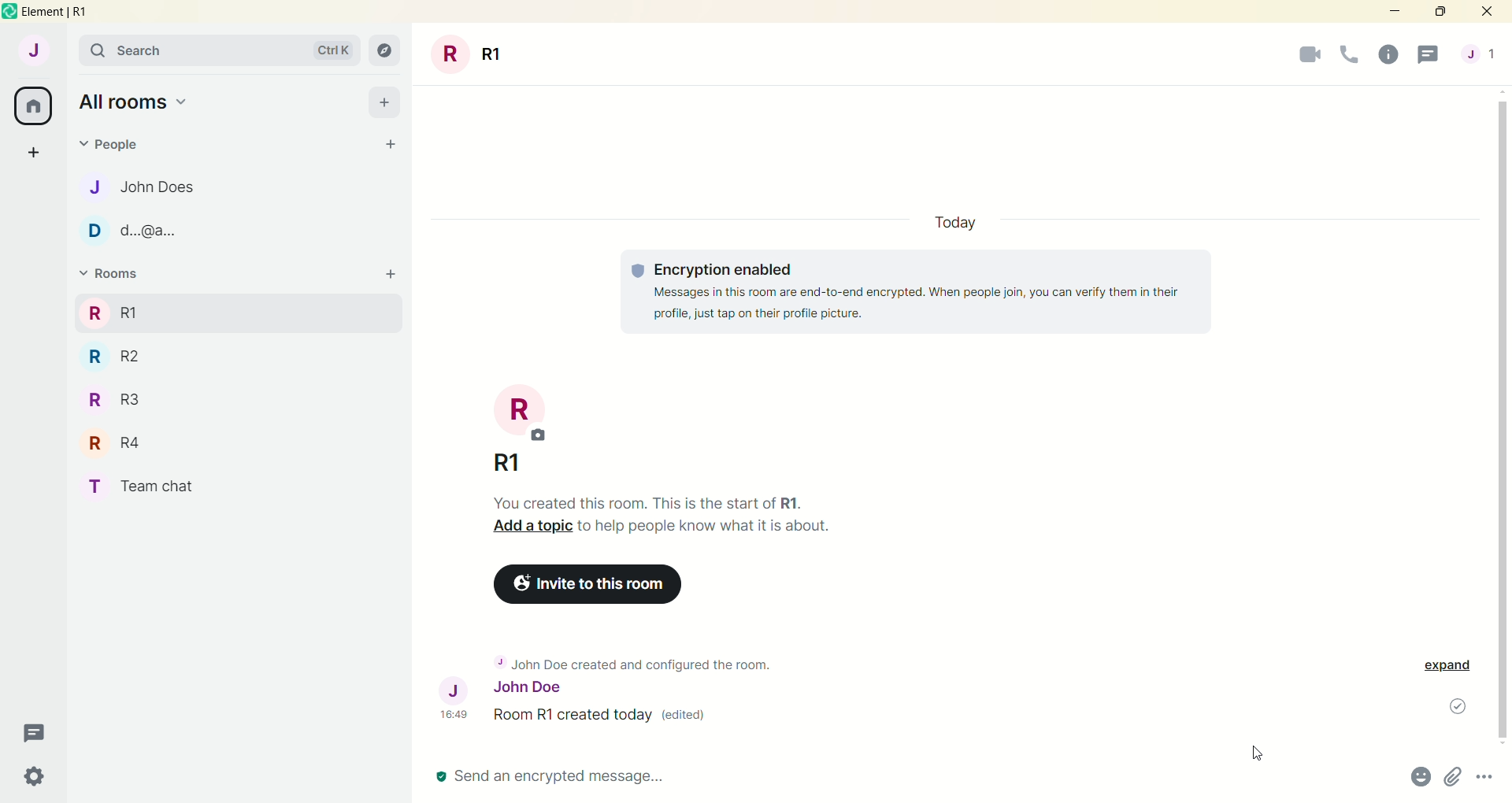 The height and width of the screenshot is (803, 1512). What do you see at coordinates (1388, 56) in the screenshot?
I see `room info` at bounding box center [1388, 56].